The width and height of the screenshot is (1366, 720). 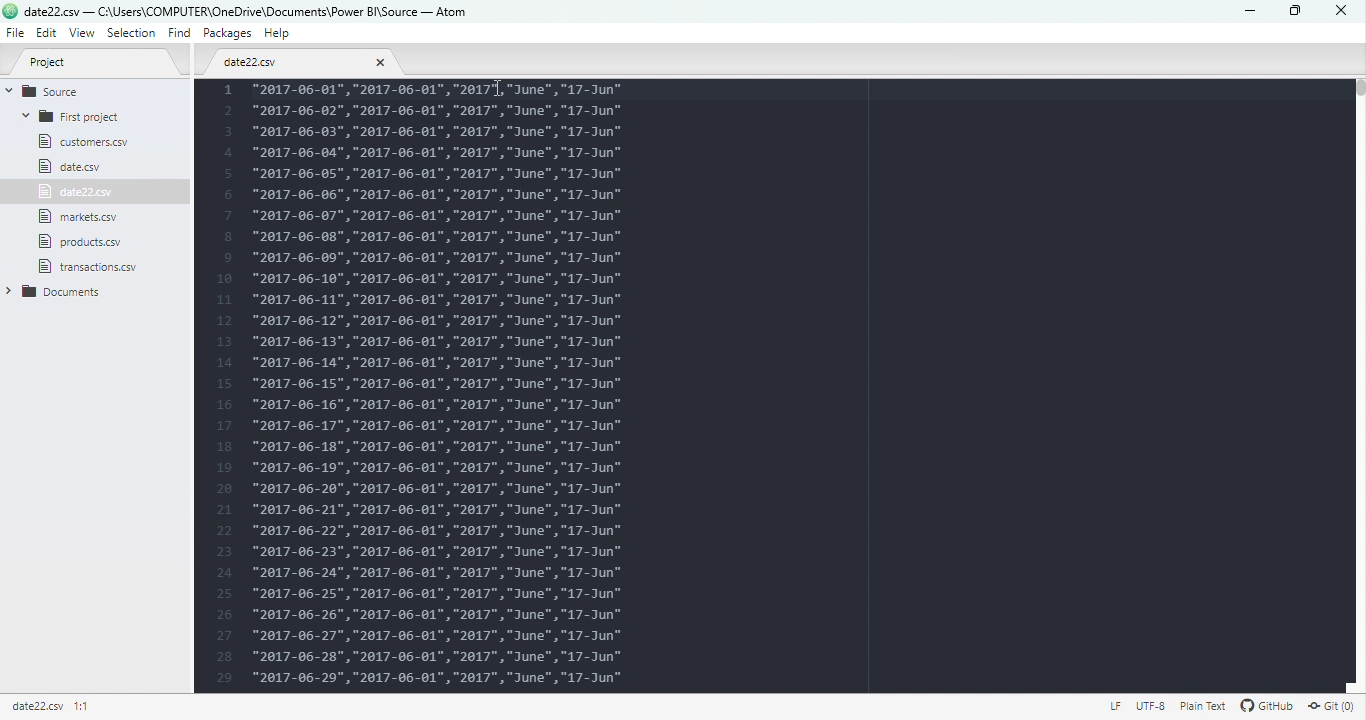 I want to click on Source, so click(x=77, y=90).